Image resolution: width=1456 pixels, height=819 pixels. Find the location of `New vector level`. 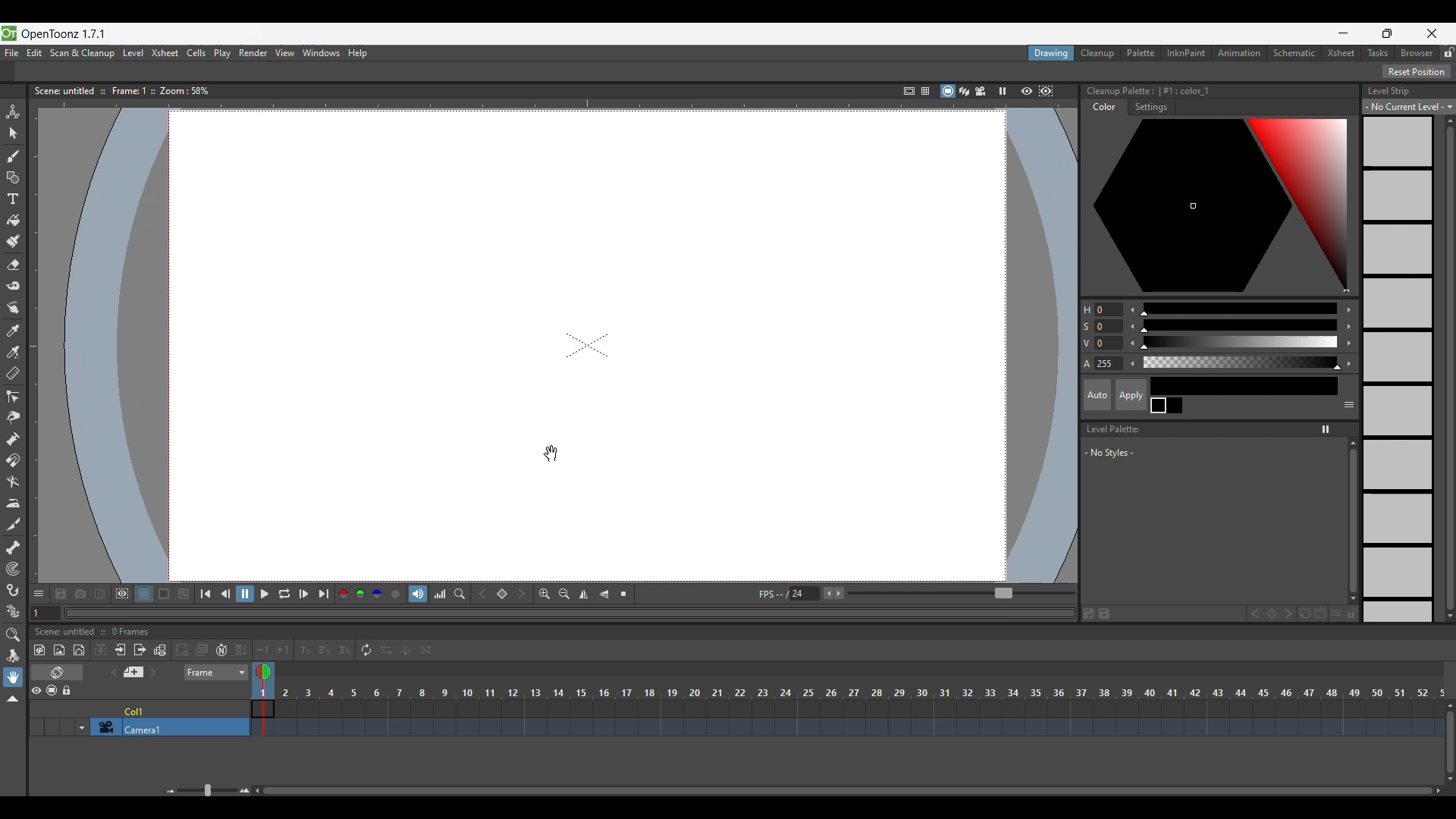

New vector level is located at coordinates (79, 650).